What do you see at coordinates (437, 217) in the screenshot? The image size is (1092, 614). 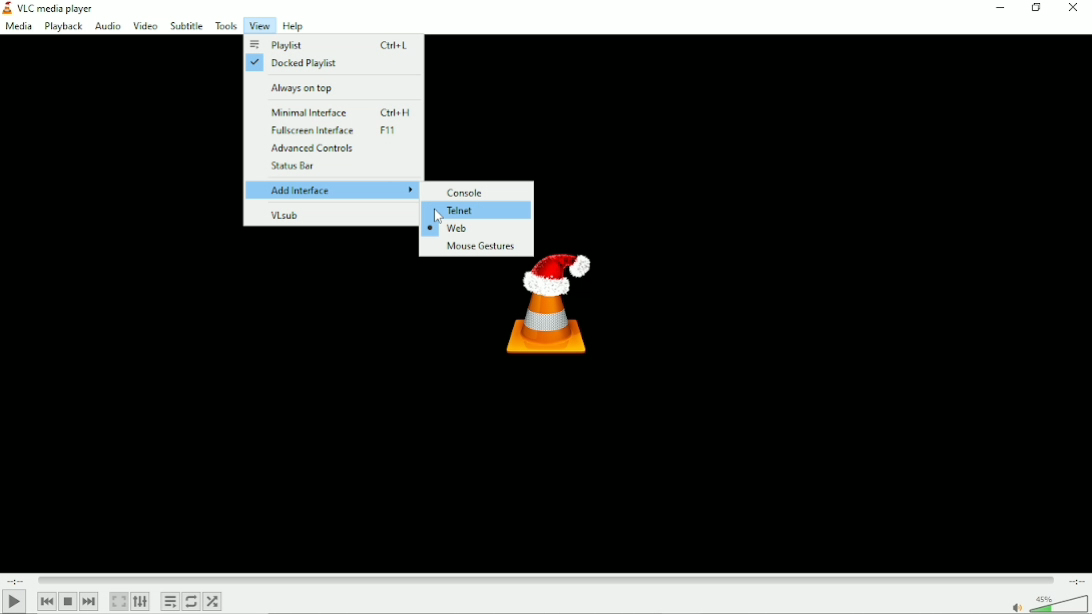 I see `Cursor` at bounding box center [437, 217].